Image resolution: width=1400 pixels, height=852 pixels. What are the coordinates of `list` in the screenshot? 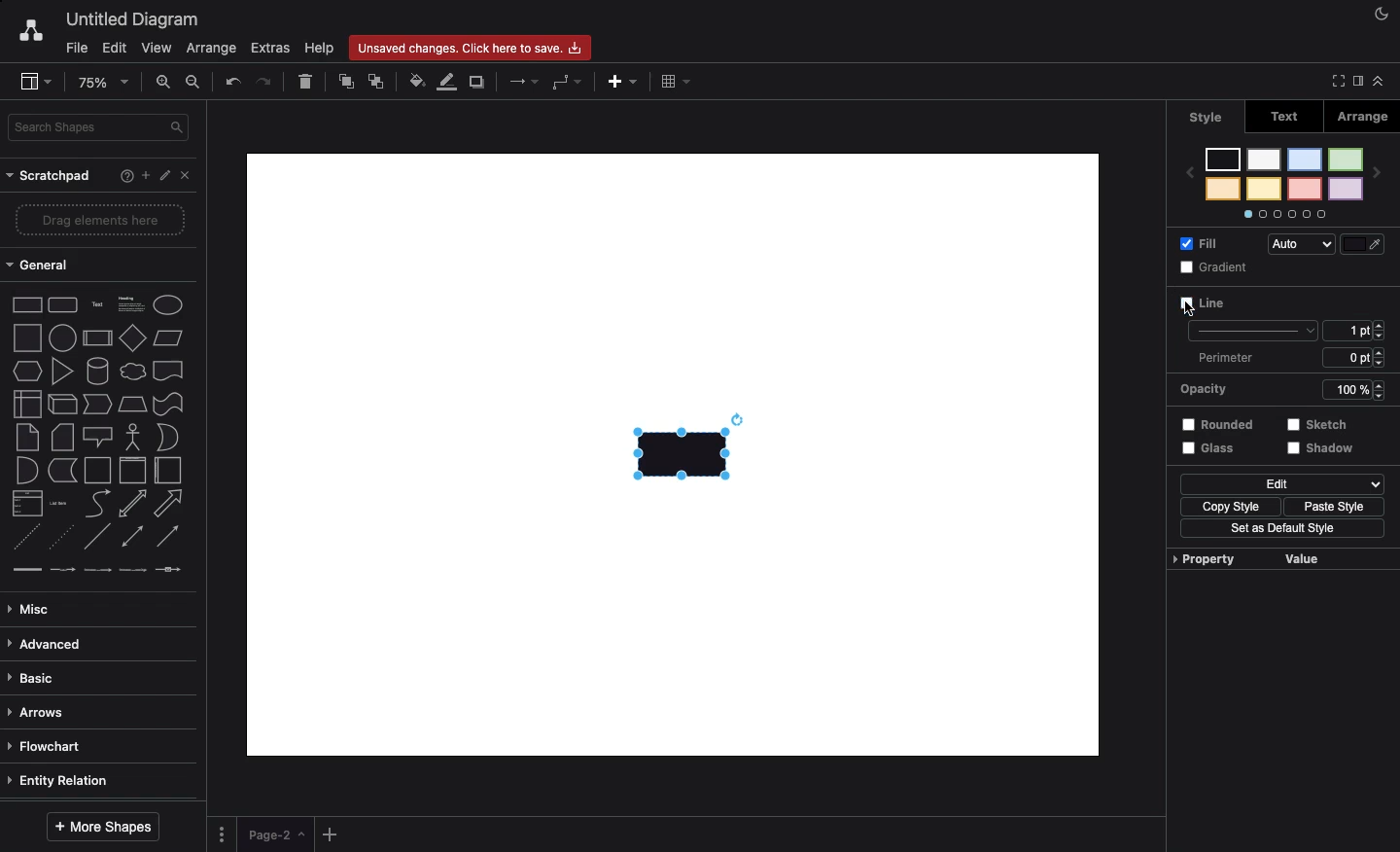 It's located at (24, 503).